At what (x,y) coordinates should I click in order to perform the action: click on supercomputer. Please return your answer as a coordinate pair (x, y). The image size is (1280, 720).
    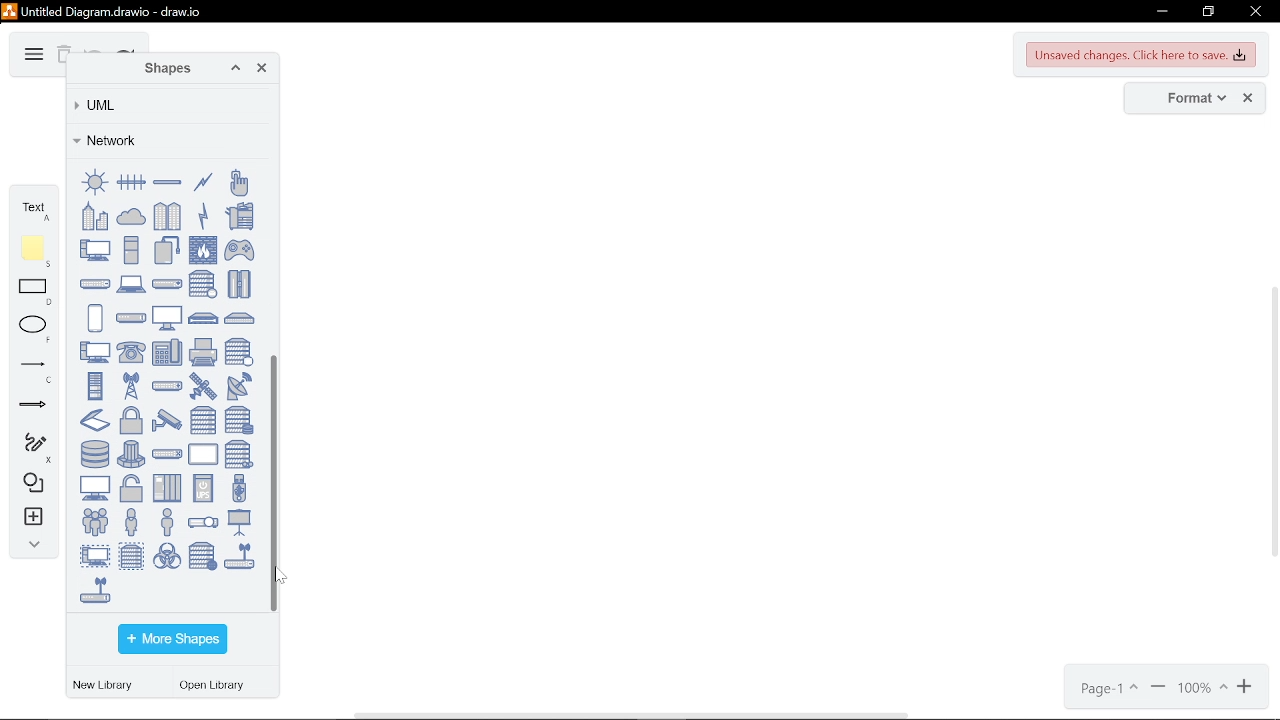
    Looking at the image, I should click on (131, 454).